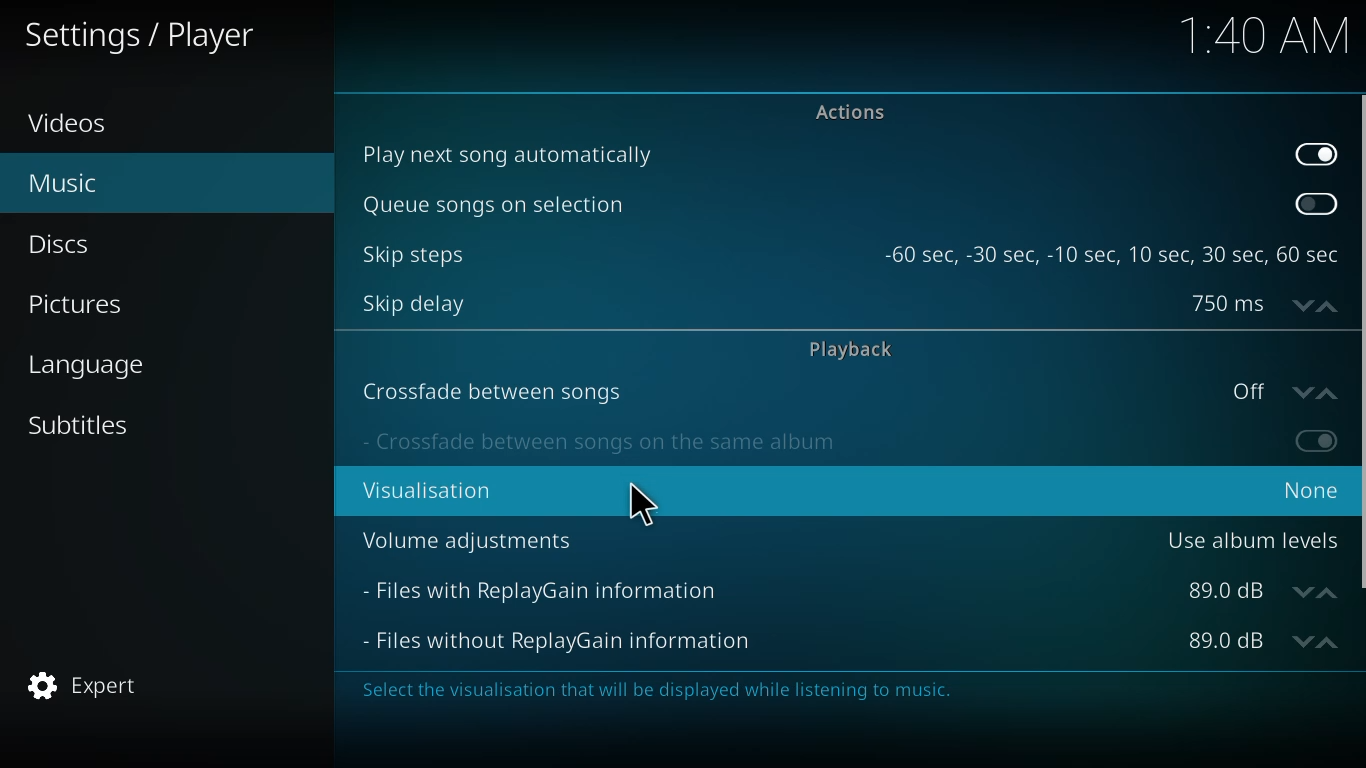 This screenshot has width=1366, height=768. I want to click on time, so click(1267, 34).